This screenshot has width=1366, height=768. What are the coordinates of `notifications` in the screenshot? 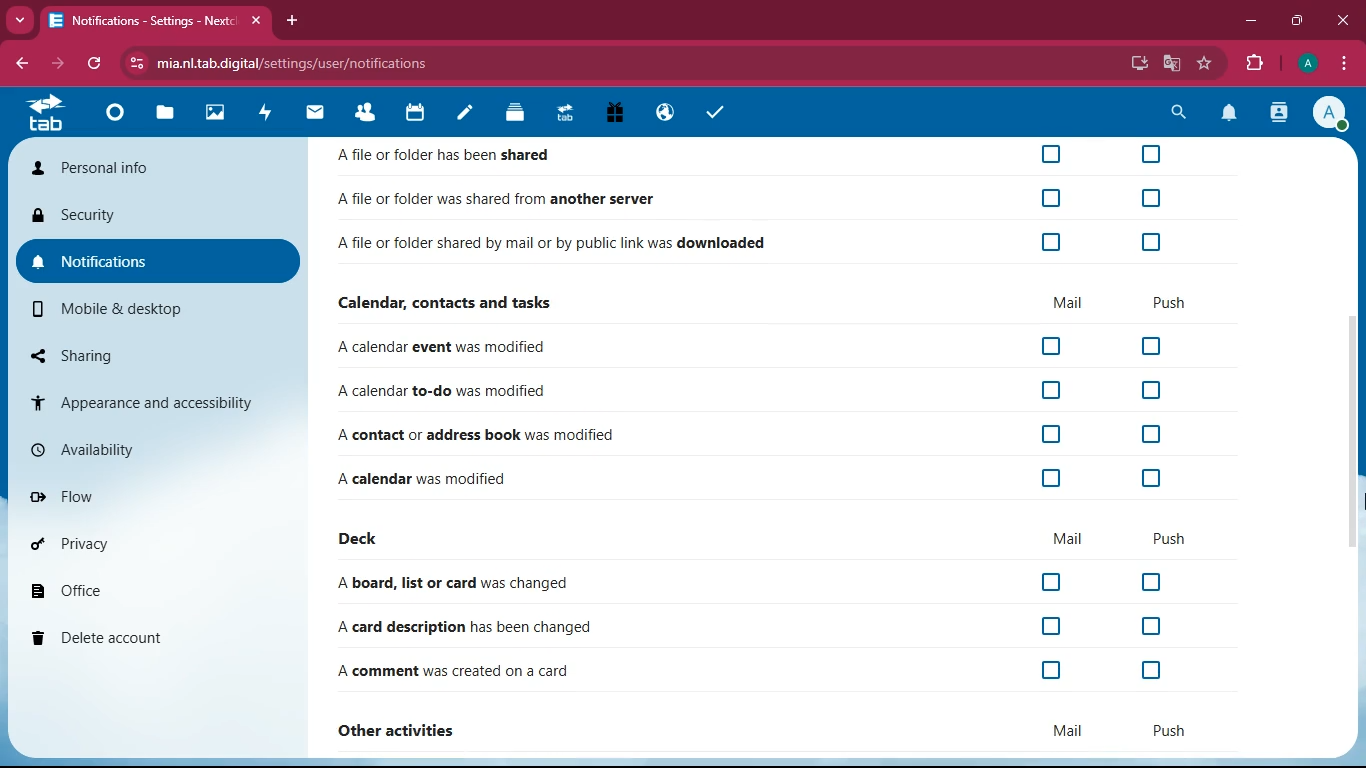 It's located at (158, 261).